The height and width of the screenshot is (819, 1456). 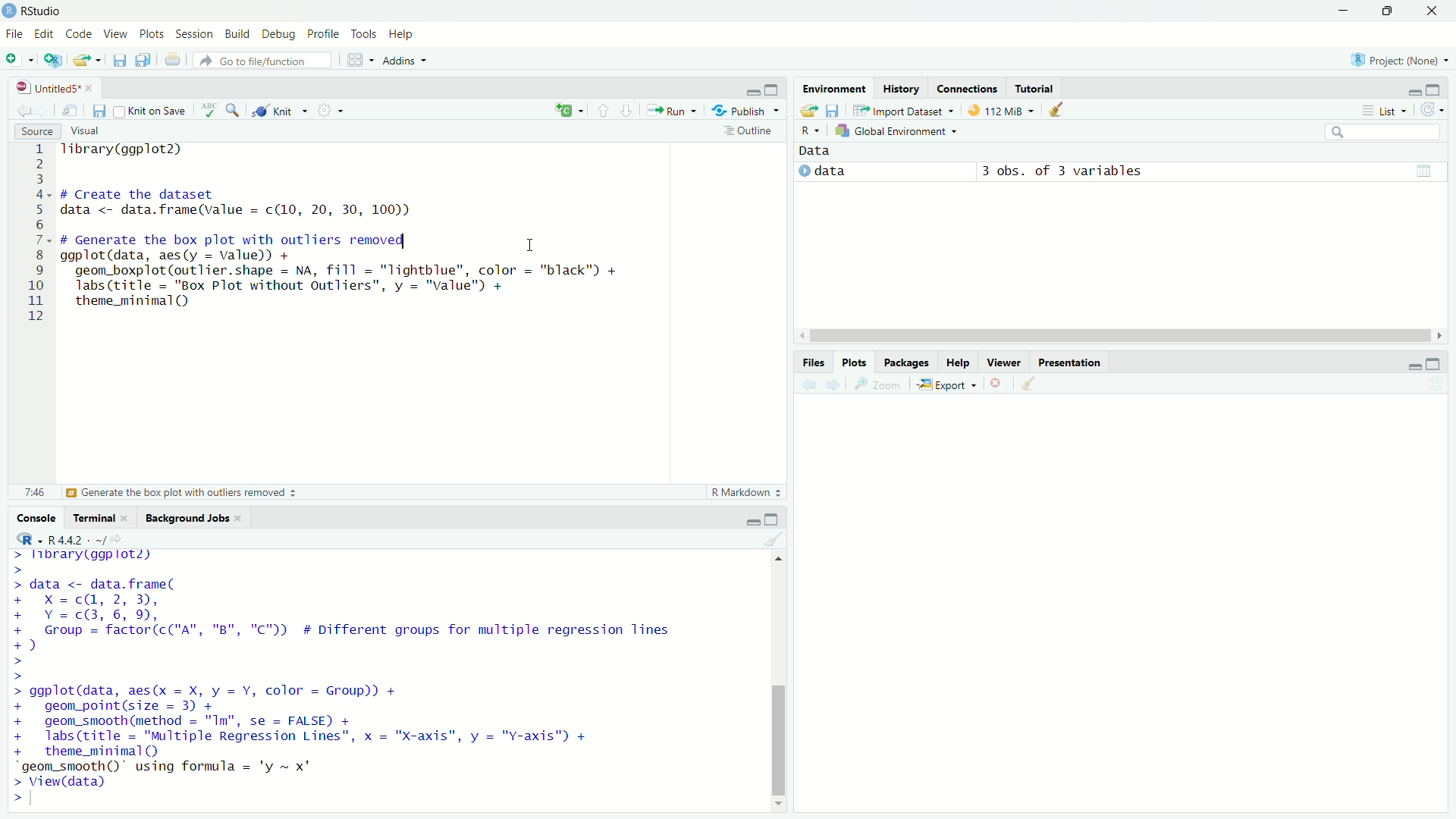 What do you see at coordinates (967, 88) in the screenshot?
I see `‘Connections` at bounding box center [967, 88].